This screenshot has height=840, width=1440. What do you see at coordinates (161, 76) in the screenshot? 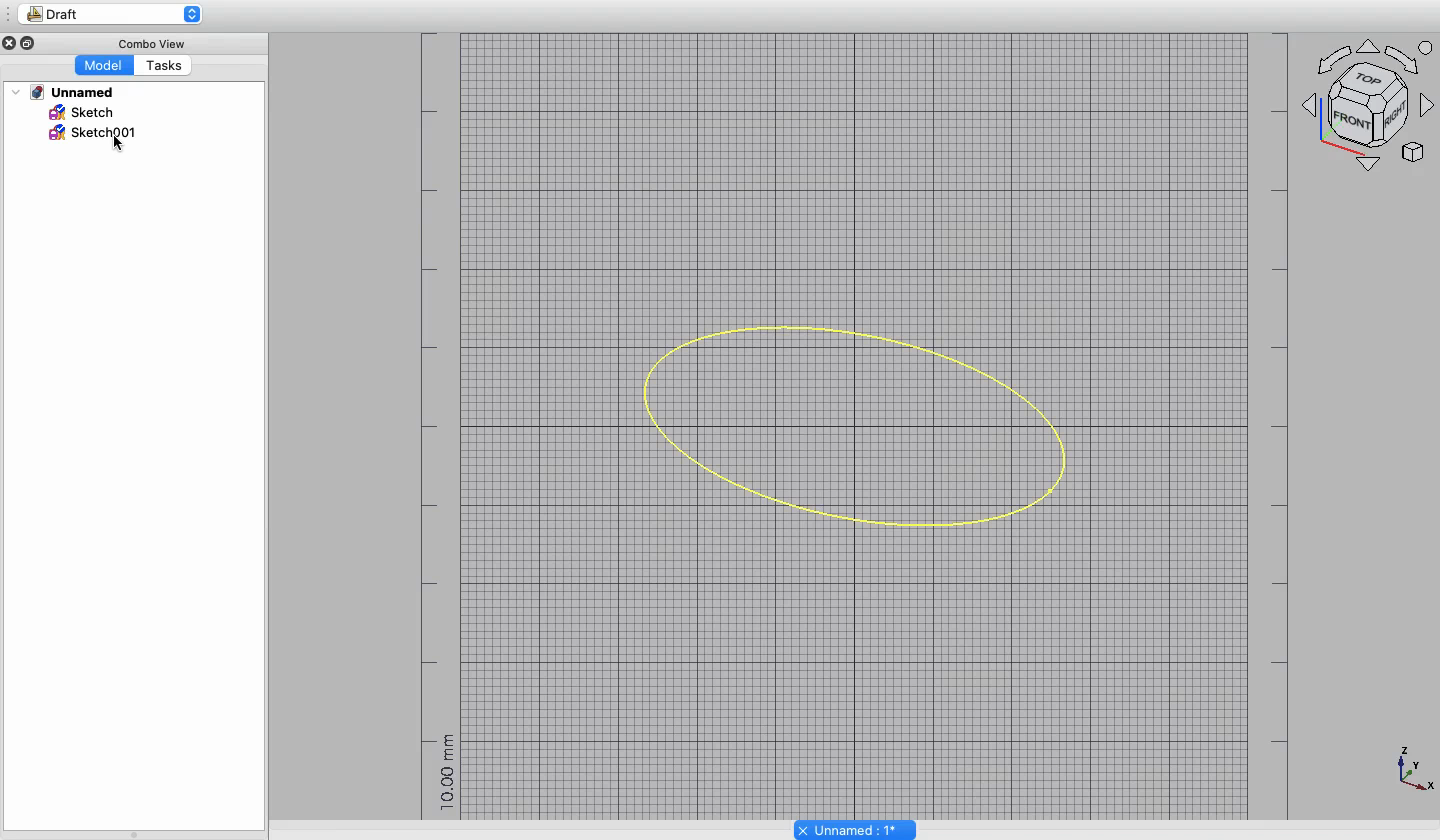
I see `cursor` at bounding box center [161, 76].